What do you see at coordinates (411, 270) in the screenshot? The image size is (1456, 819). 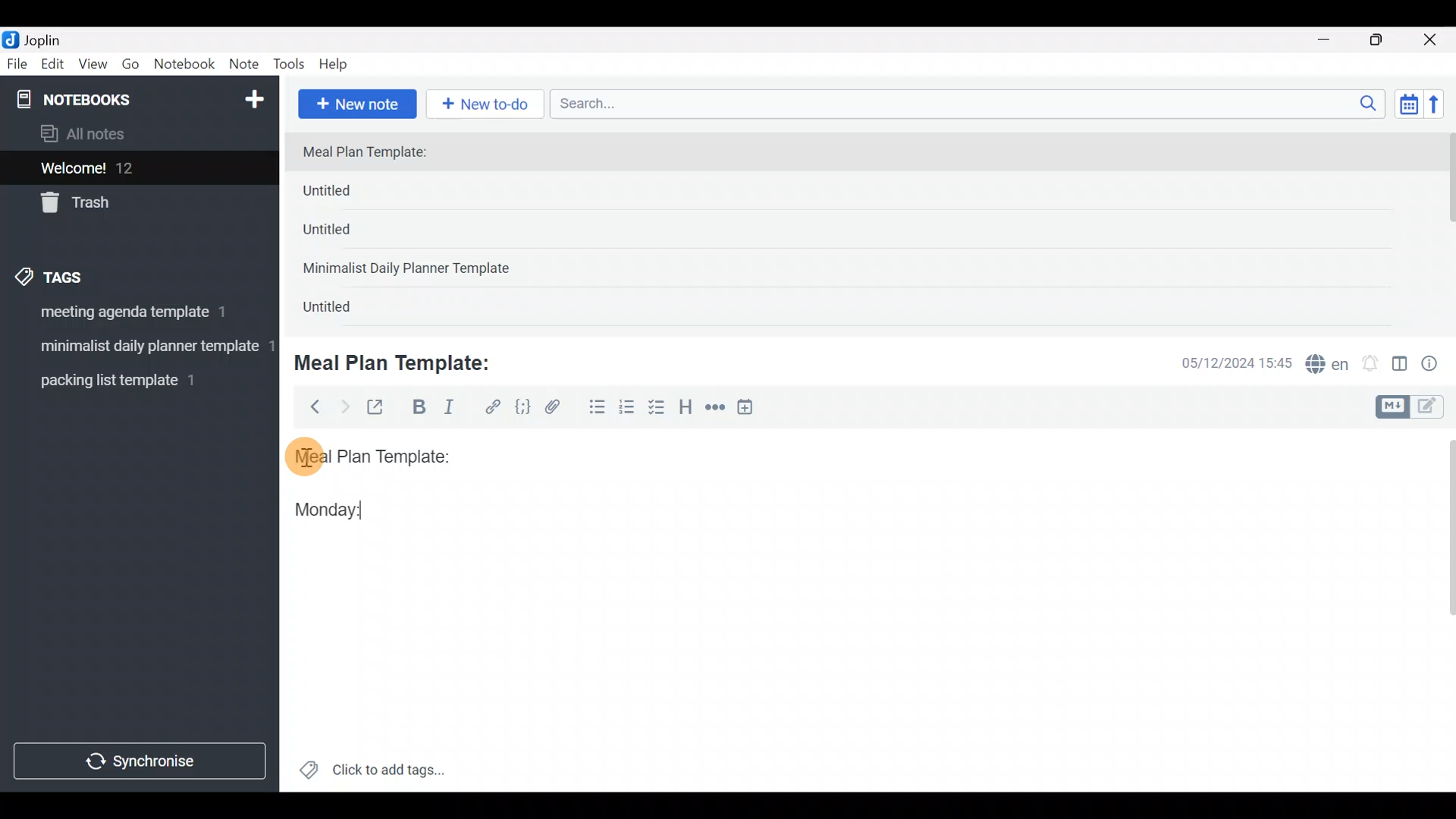 I see `Minimalist Daily Planner Template` at bounding box center [411, 270].